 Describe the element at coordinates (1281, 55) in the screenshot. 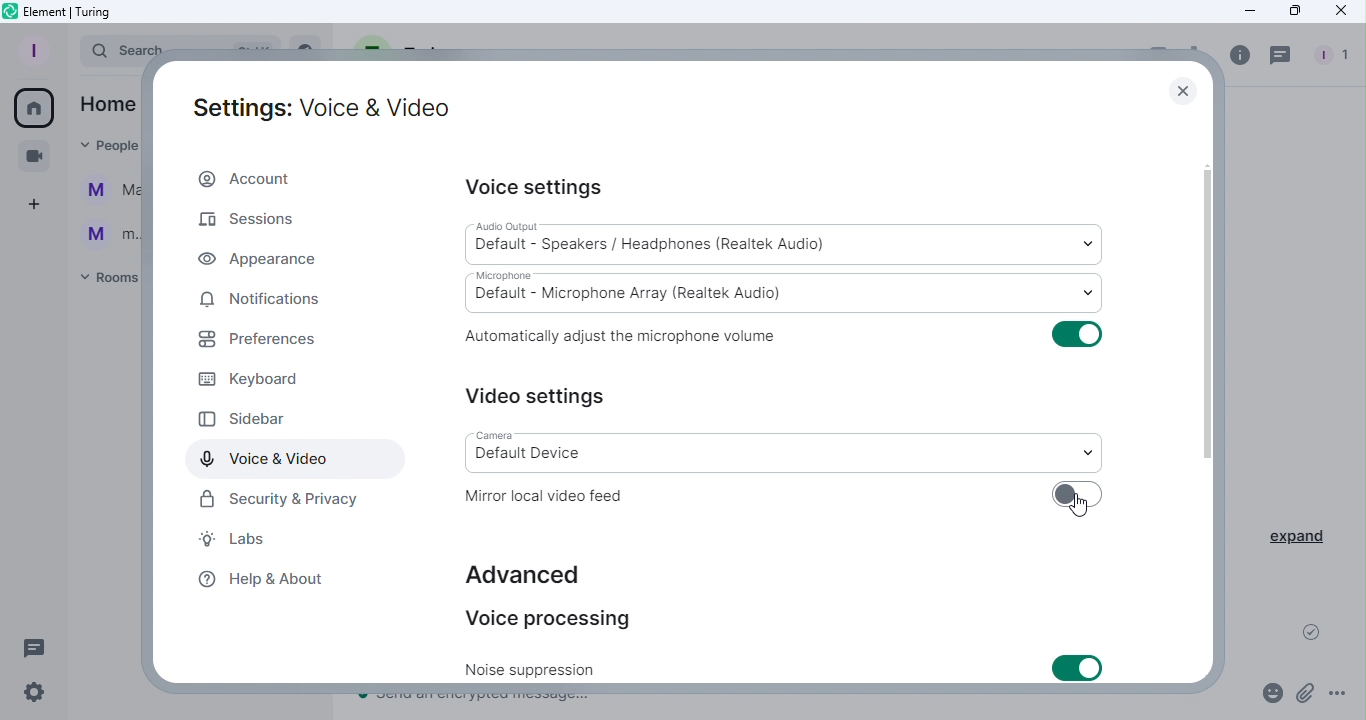

I see `Threads` at that location.